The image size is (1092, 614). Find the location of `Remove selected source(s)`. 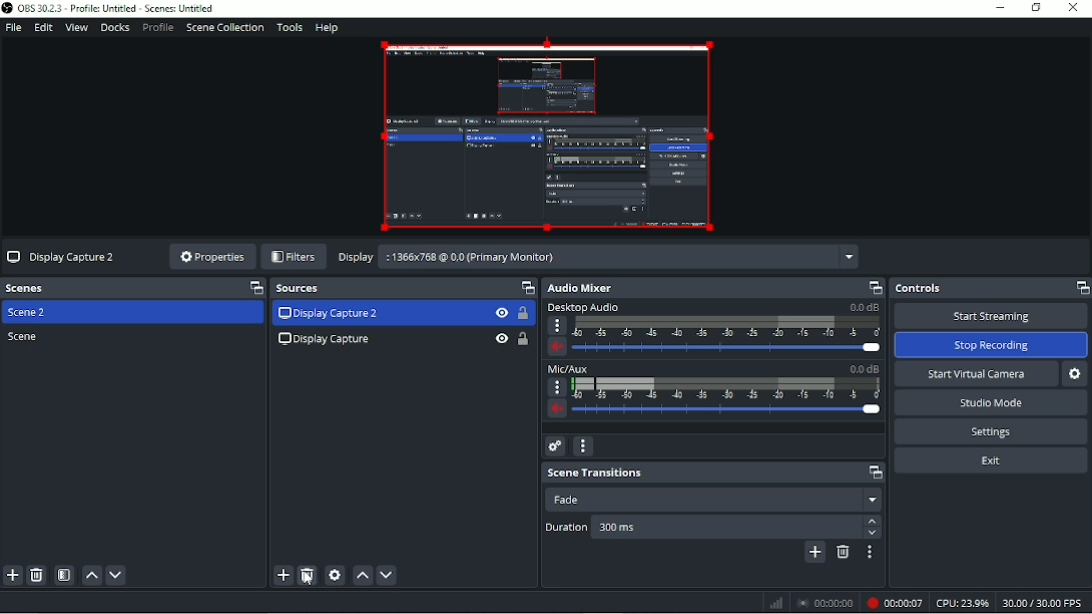

Remove selected source(s) is located at coordinates (308, 575).